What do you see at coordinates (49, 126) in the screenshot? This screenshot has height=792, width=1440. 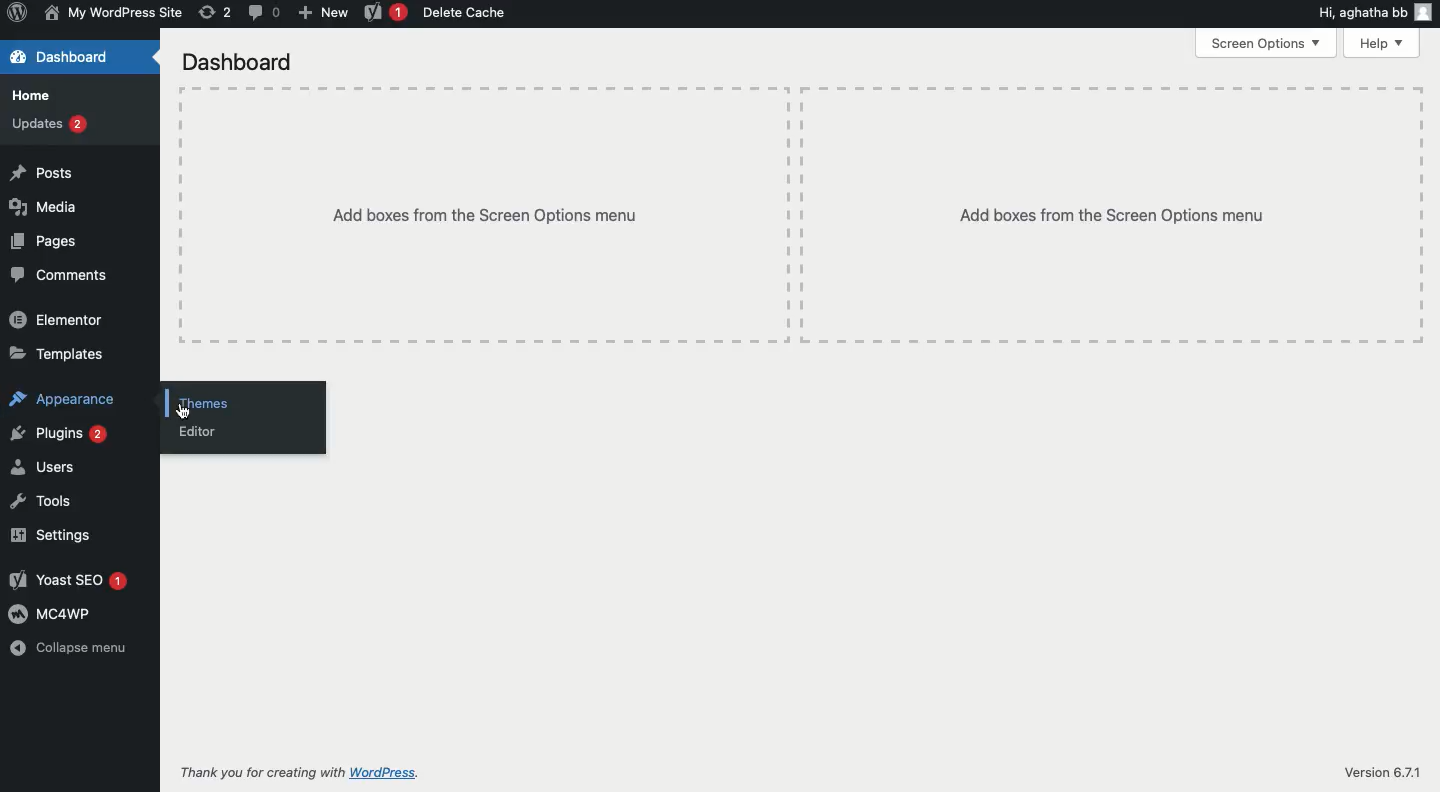 I see `Updates` at bounding box center [49, 126].